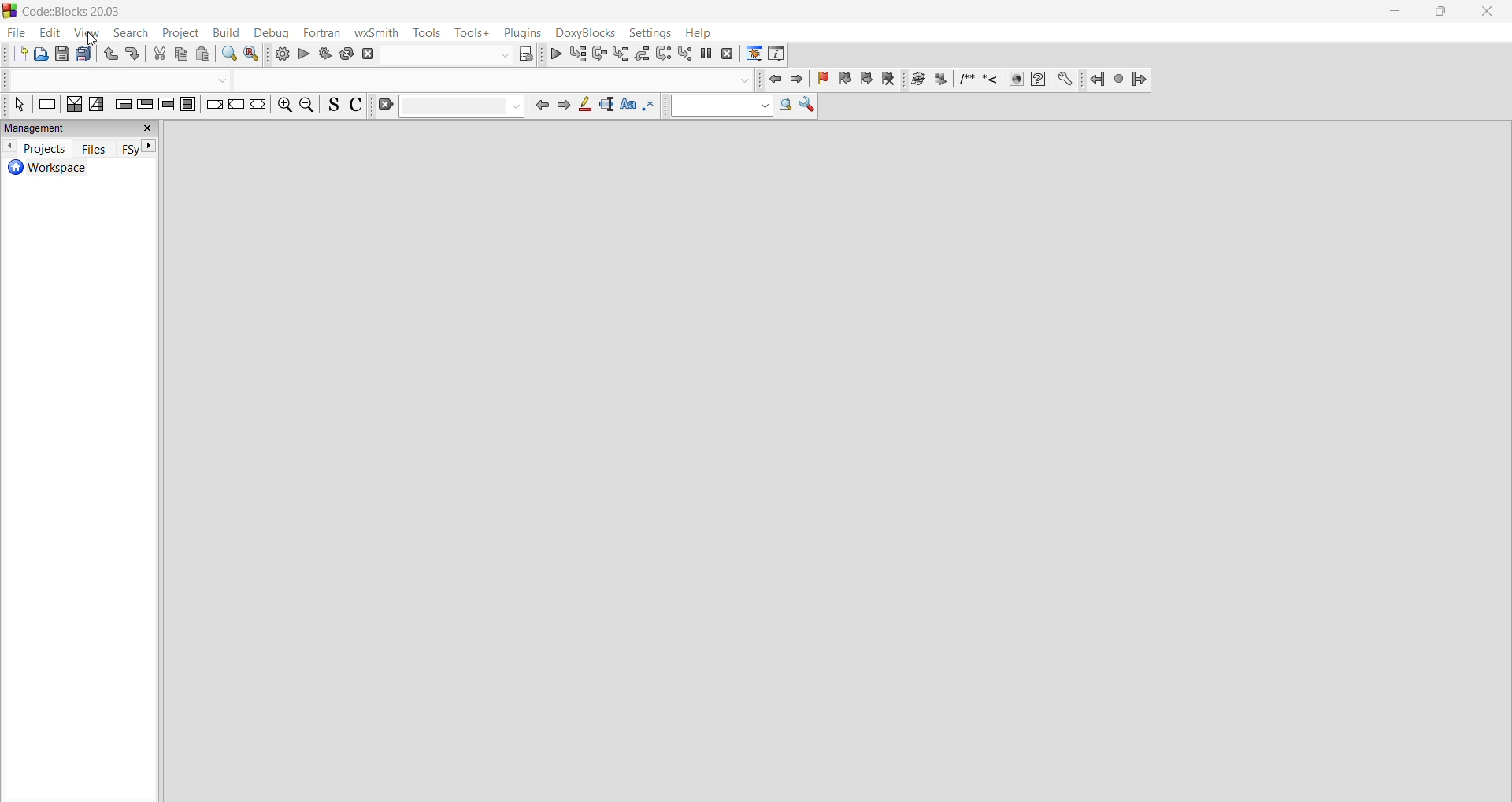  I want to click on previous bookmark, so click(845, 78).